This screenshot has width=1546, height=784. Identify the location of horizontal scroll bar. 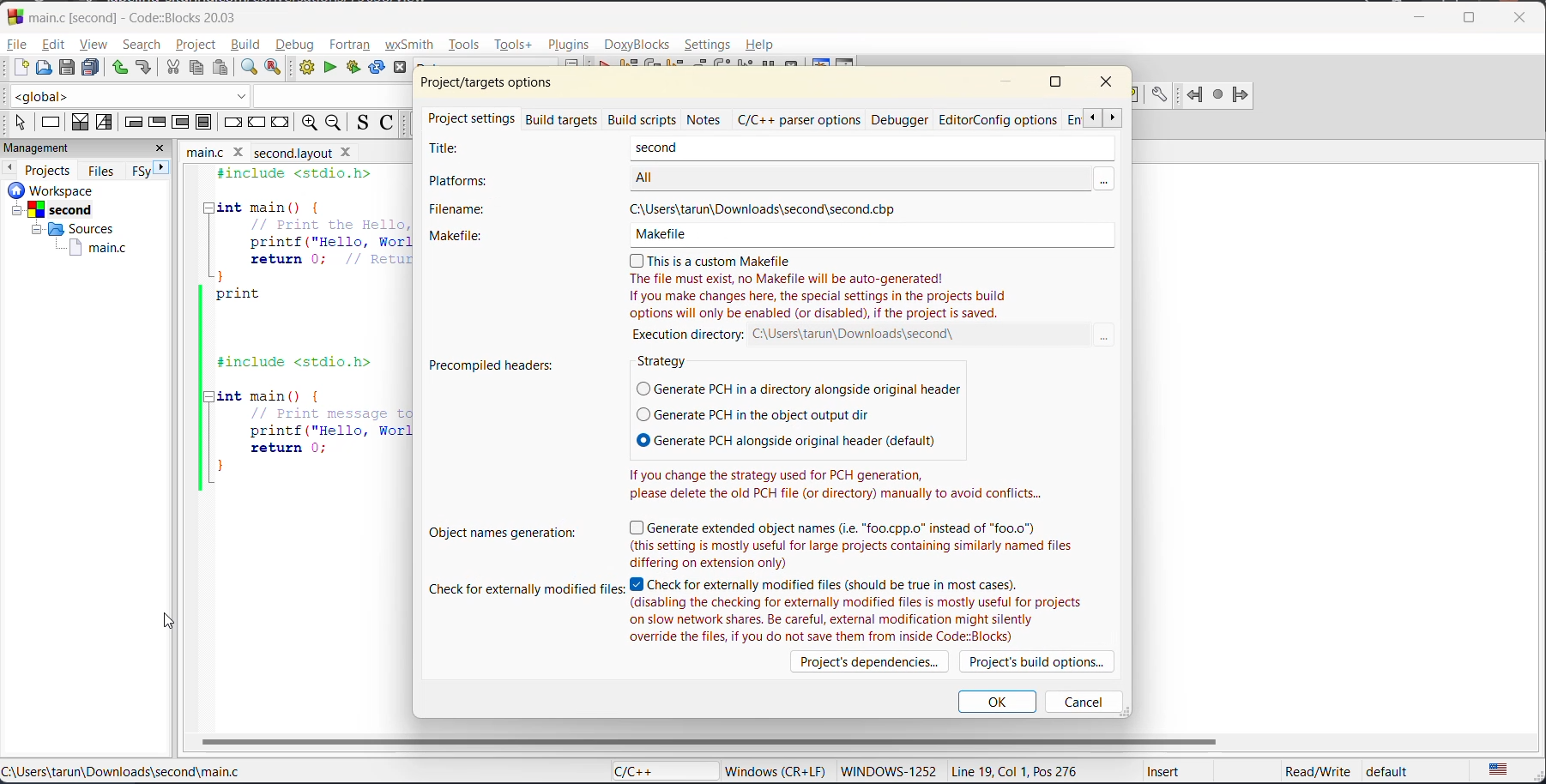
(708, 740).